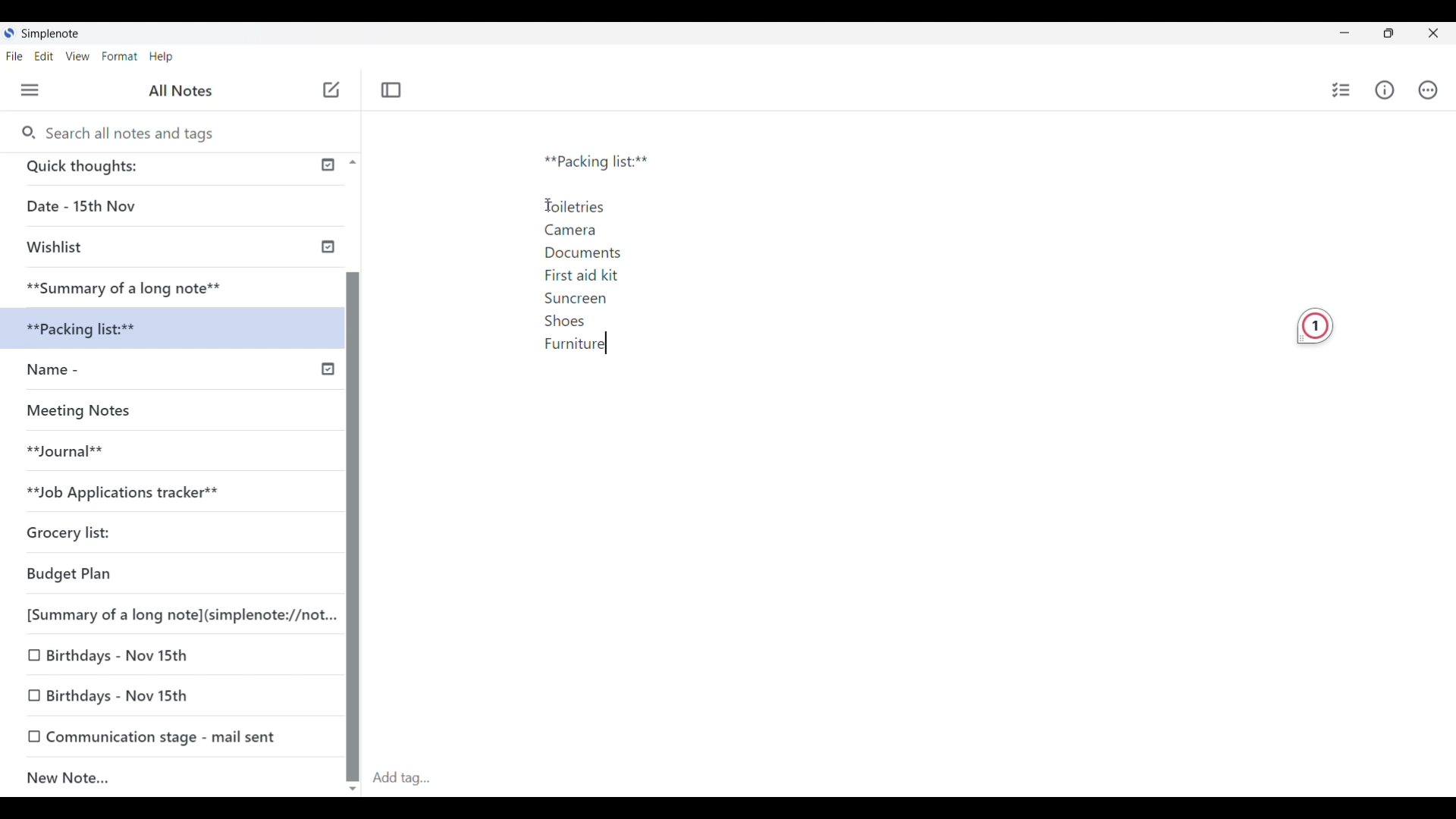 Image resolution: width=1456 pixels, height=819 pixels. What do you see at coordinates (611, 342) in the screenshot?
I see `Cursor` at bounding box center [611, 342].